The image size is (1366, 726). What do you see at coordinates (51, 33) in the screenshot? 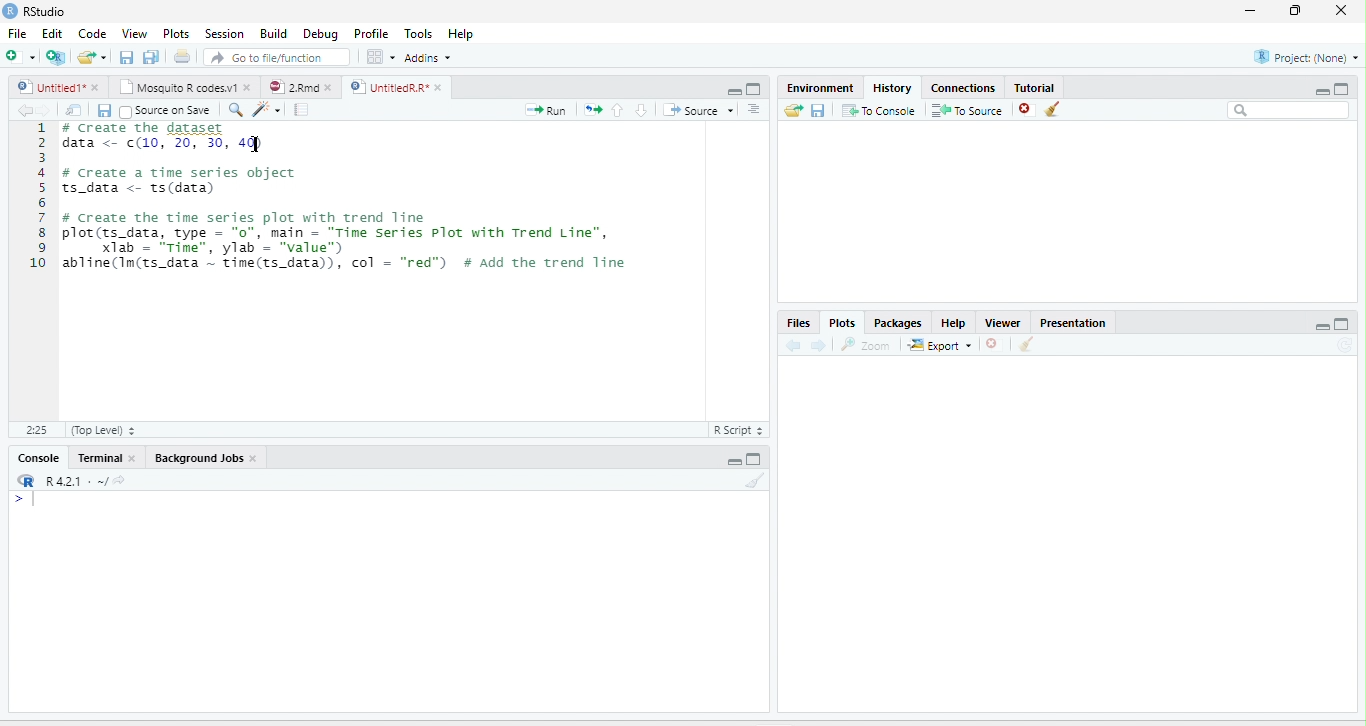
I see `Edit` at bounding box center [51, 33].